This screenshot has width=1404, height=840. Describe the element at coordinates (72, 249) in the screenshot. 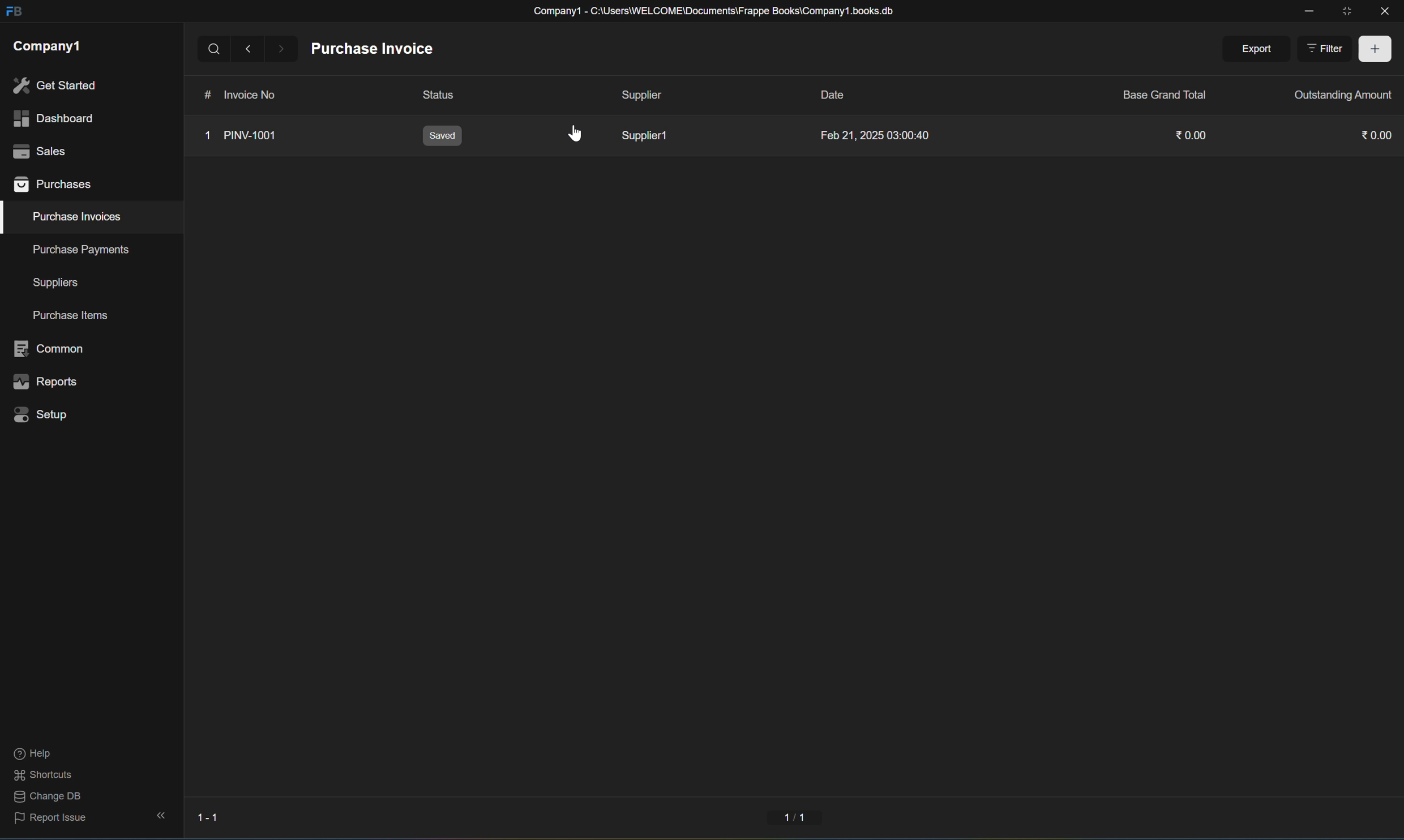

I see `purchase payments` at that location.